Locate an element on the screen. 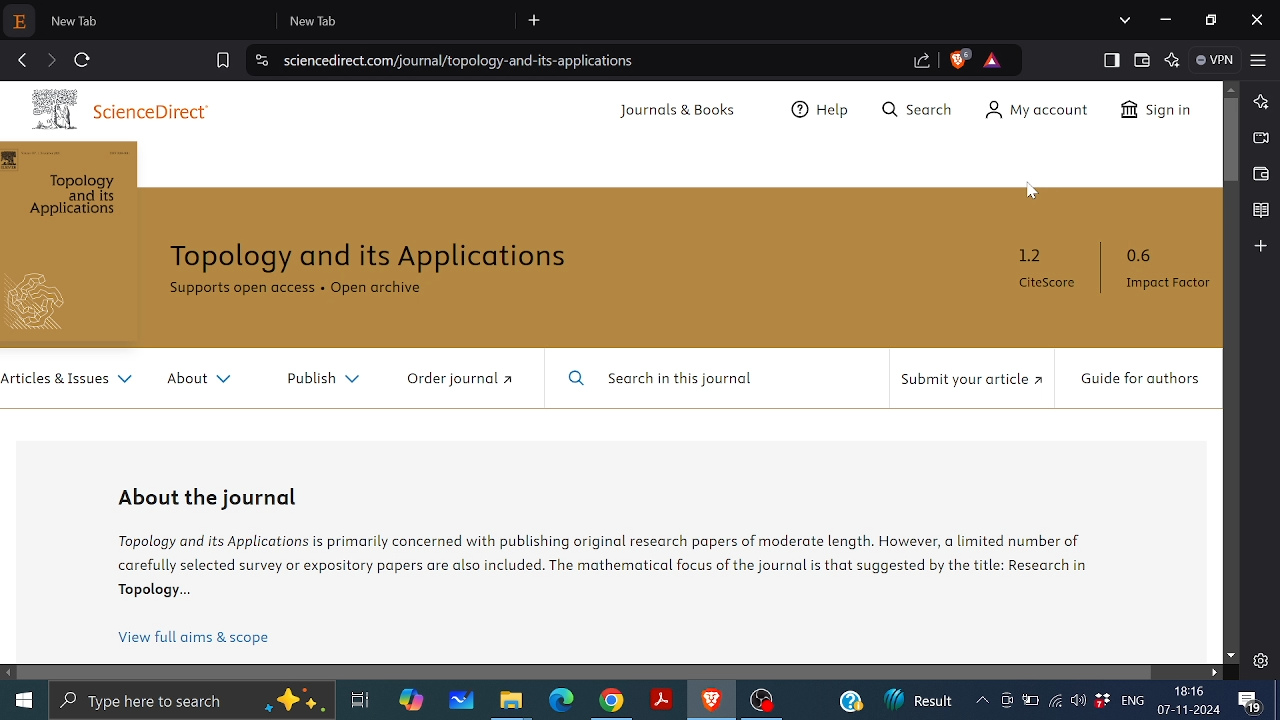 Image resolution: width=1280 pixels, height=720 pixels. Order journal is located at coordinates (461, 380).